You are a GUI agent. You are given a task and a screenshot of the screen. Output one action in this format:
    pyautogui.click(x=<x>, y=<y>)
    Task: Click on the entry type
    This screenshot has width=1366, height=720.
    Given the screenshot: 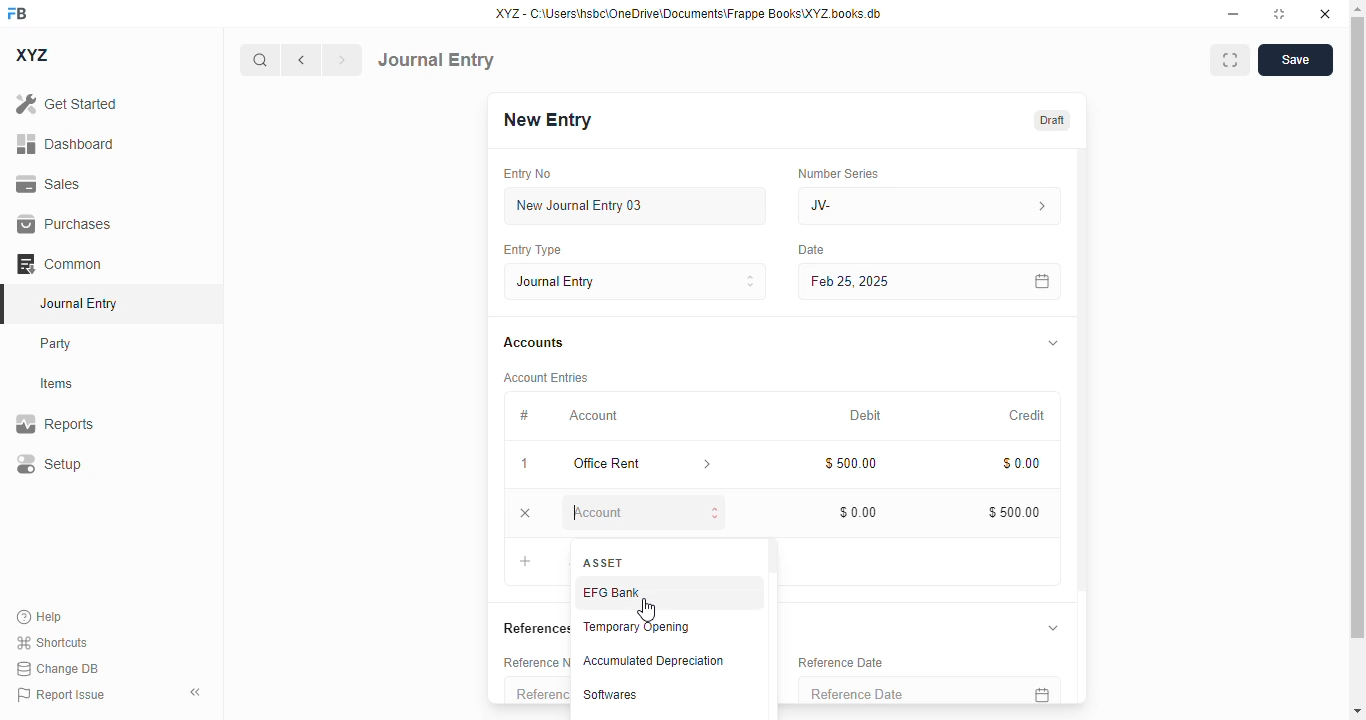 What is the action you would take?
    pyautogui.click(x=636, y=281)
    